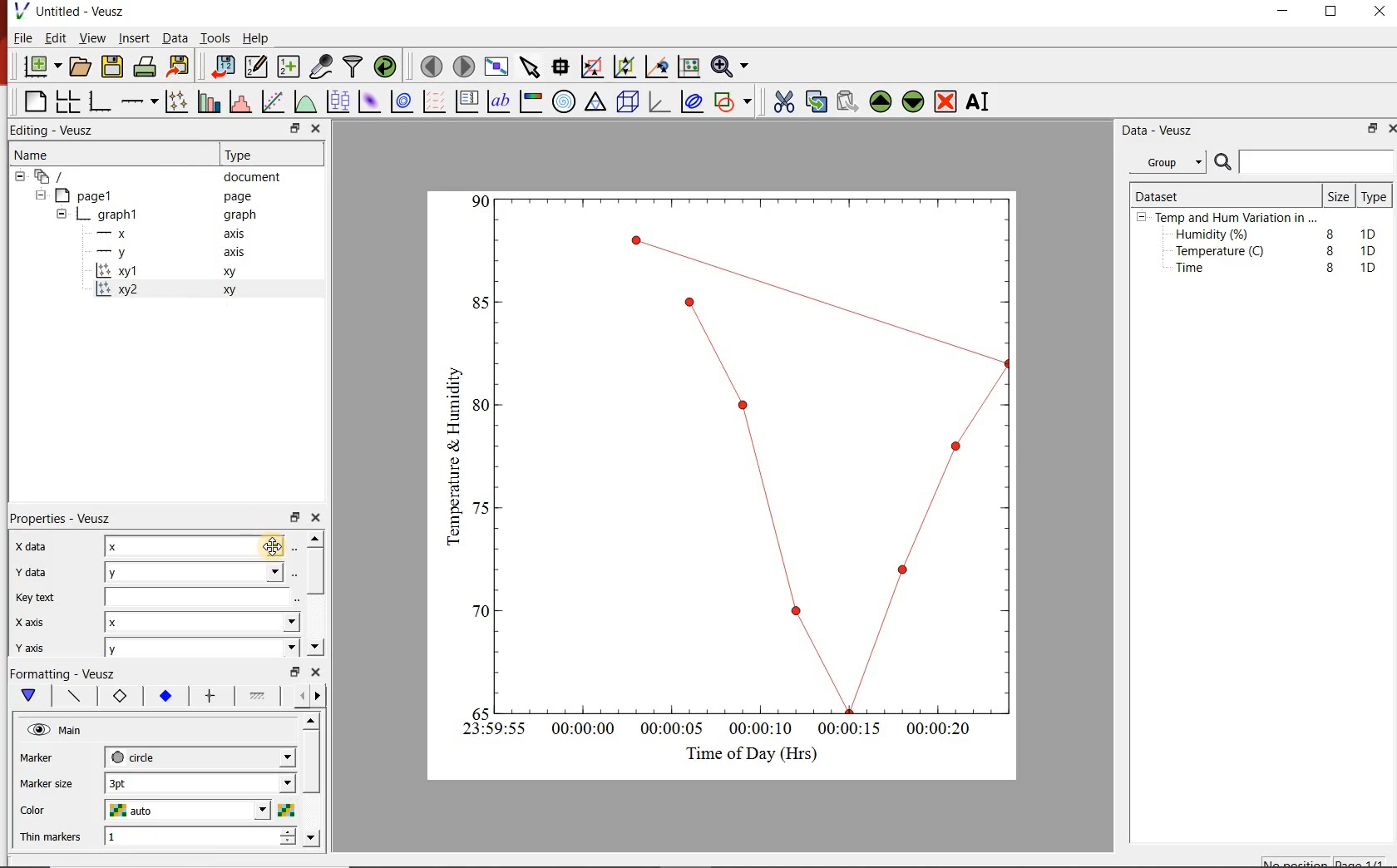  I want to click on Paste widget from the clipboard, so click(848, 101).